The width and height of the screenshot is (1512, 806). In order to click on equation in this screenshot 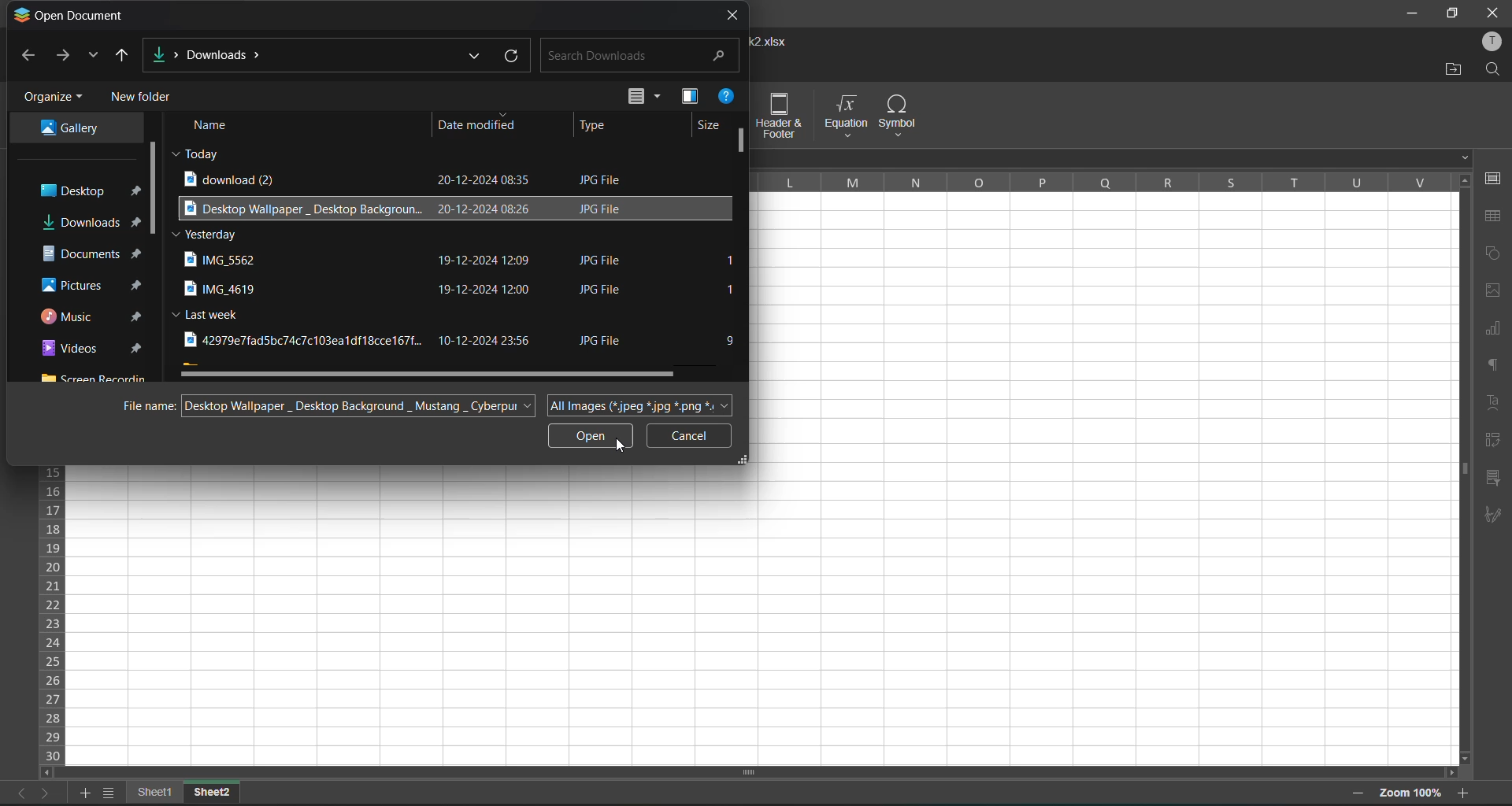, I will do `click(844, 115)`.